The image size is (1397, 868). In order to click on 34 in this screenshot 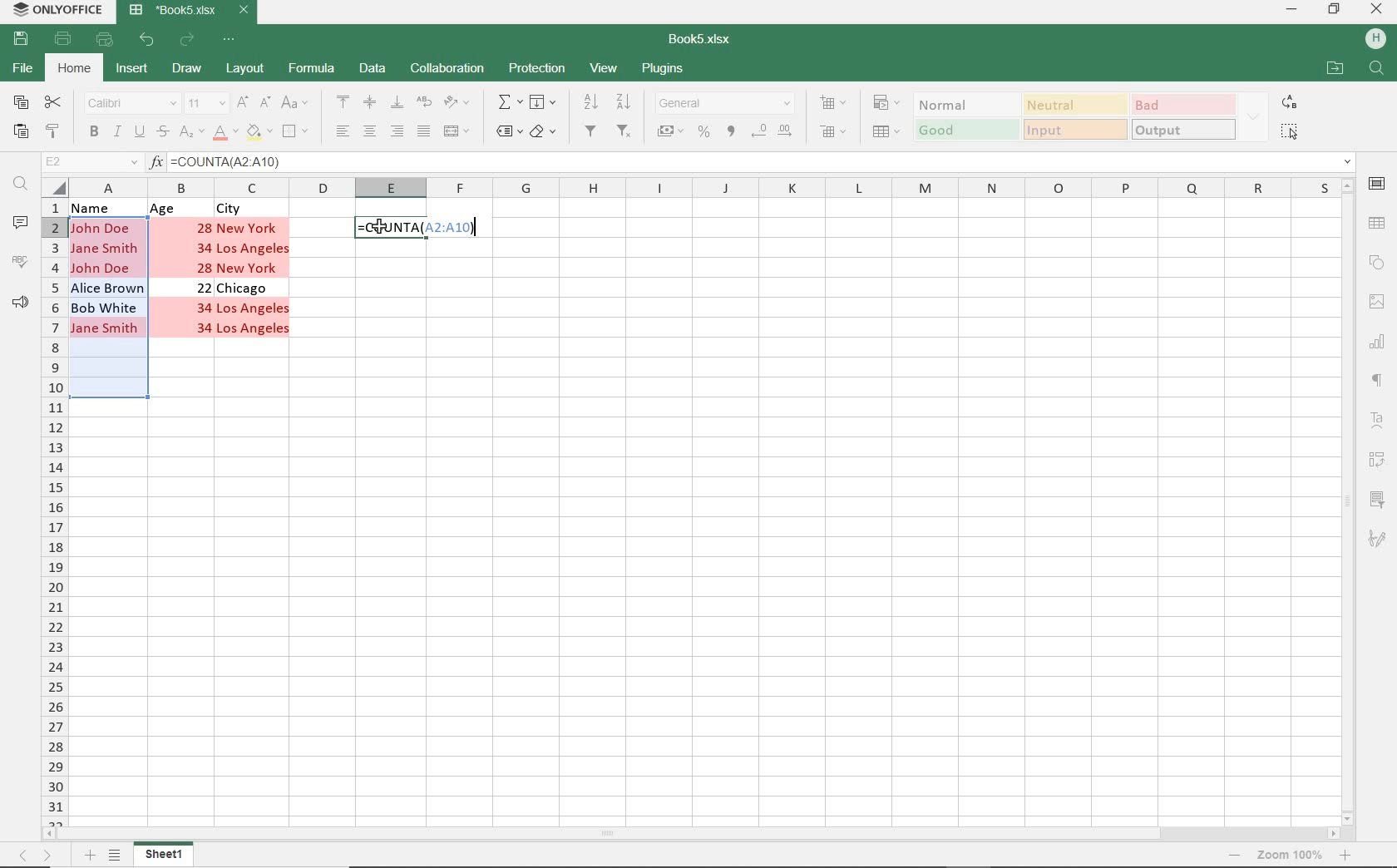, I will do `click(201, 309)`.